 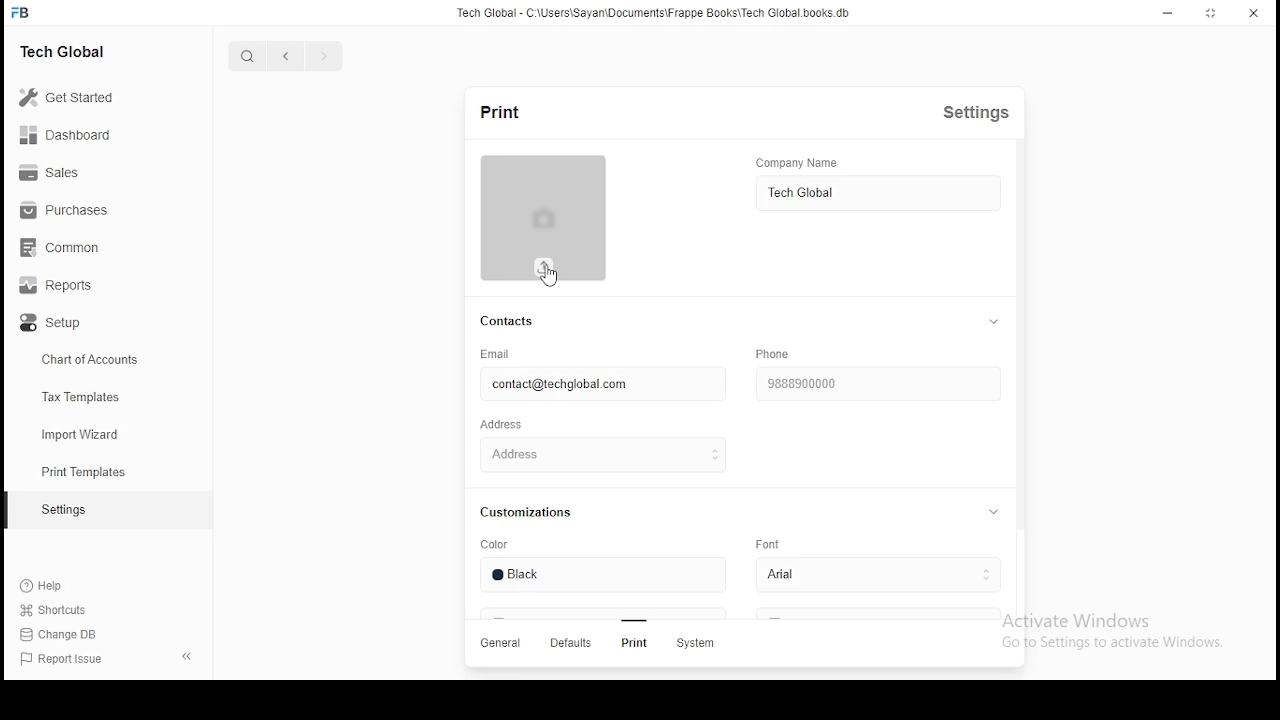 I want to click on Settings, so click(x=984, y=118).